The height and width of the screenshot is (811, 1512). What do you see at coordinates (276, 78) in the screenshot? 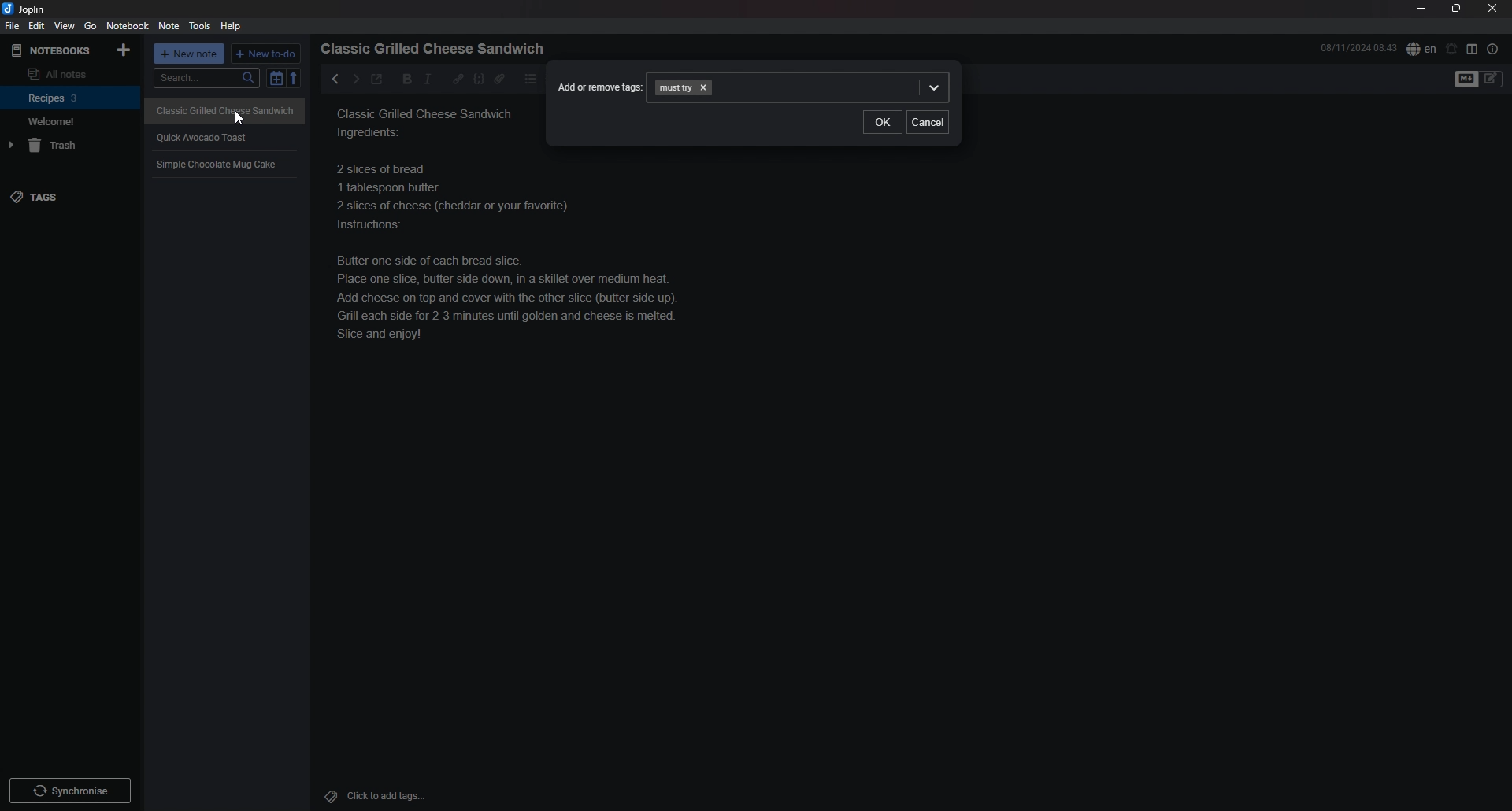
I see `toggle sort order` at bounding box center [276, 78].